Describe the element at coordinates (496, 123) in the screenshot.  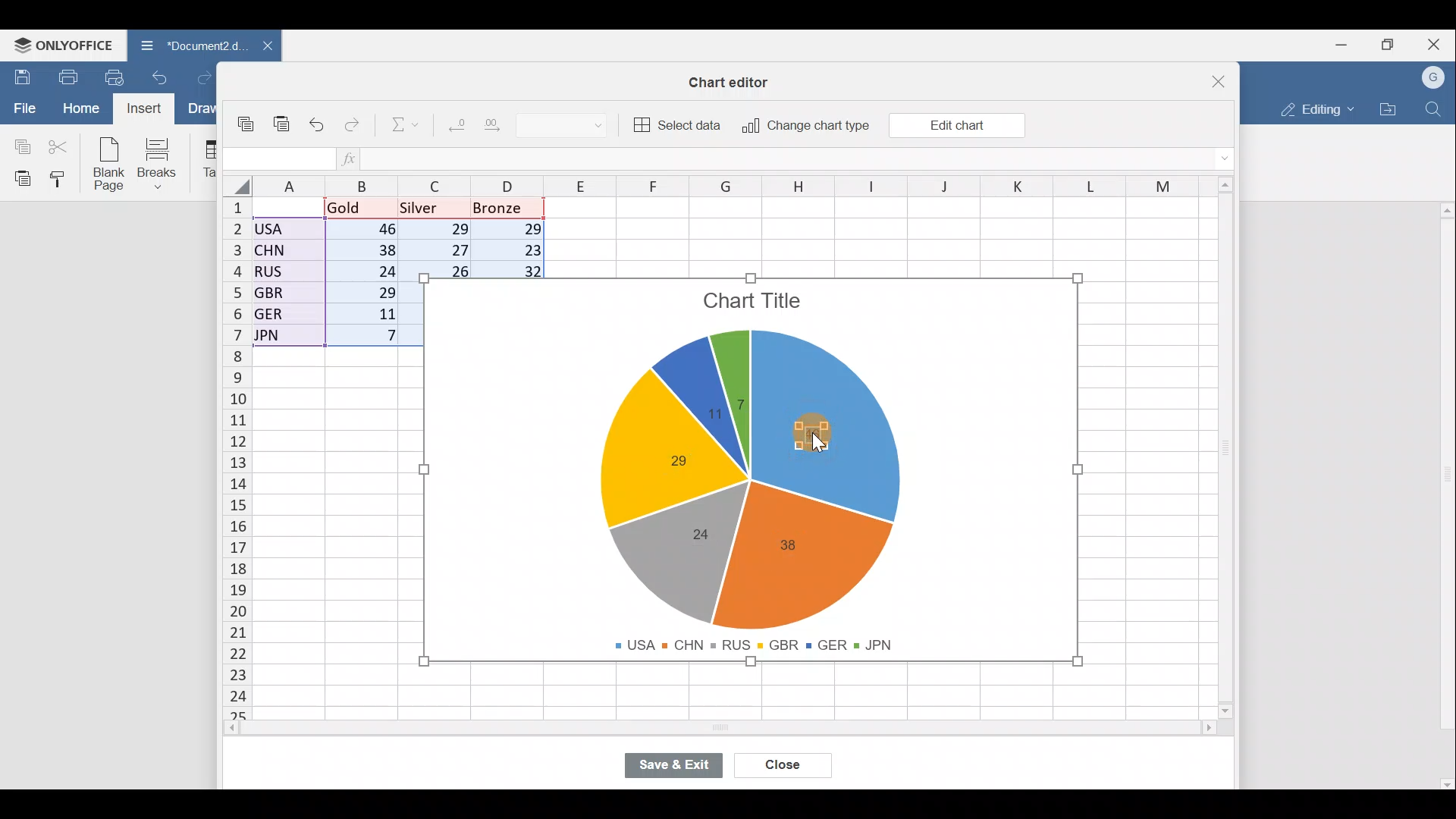
I see `Increase decimal` at that location.